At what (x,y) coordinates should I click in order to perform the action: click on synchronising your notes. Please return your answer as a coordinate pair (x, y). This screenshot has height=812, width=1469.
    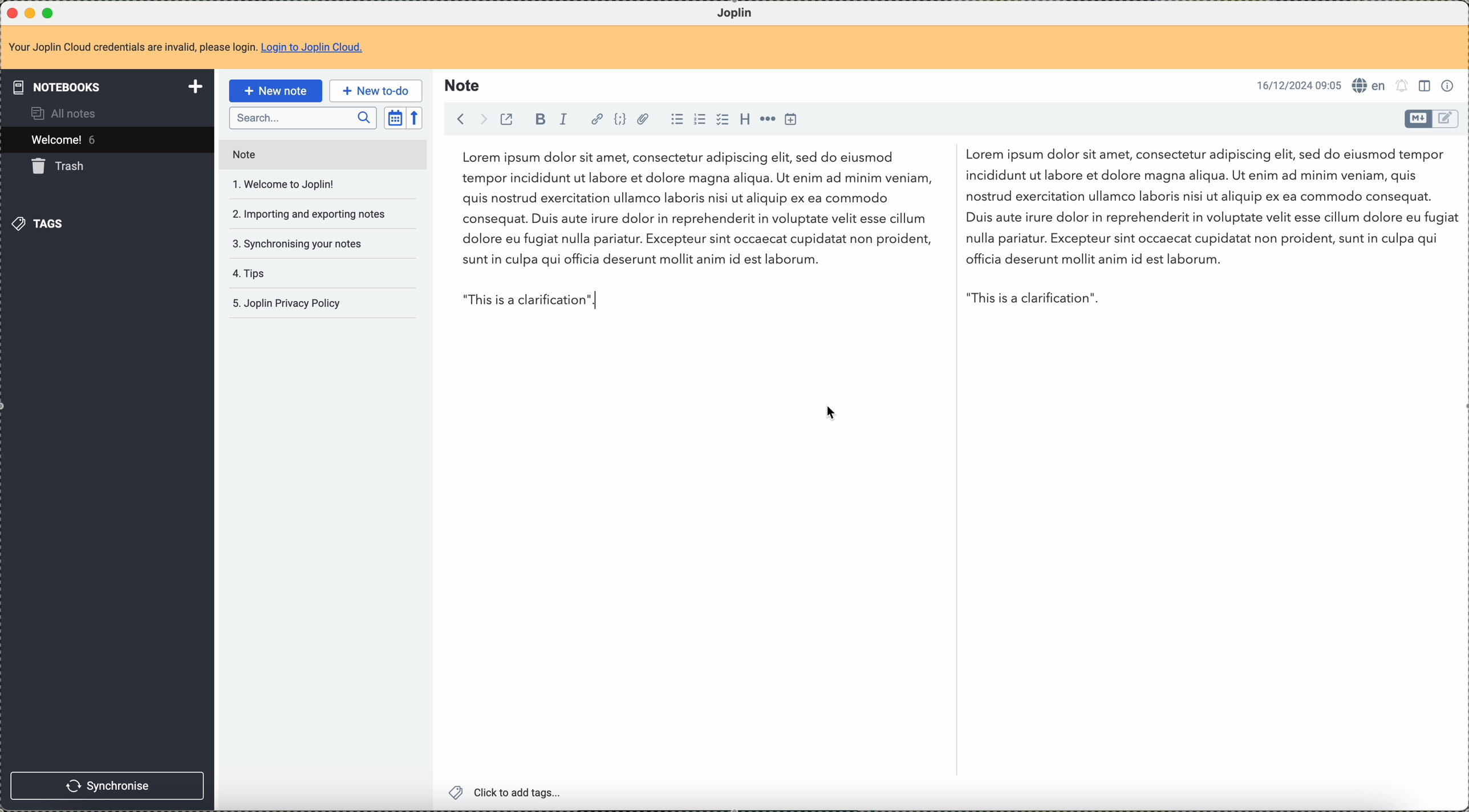
    Looking at the image, I should click on (298, 245).